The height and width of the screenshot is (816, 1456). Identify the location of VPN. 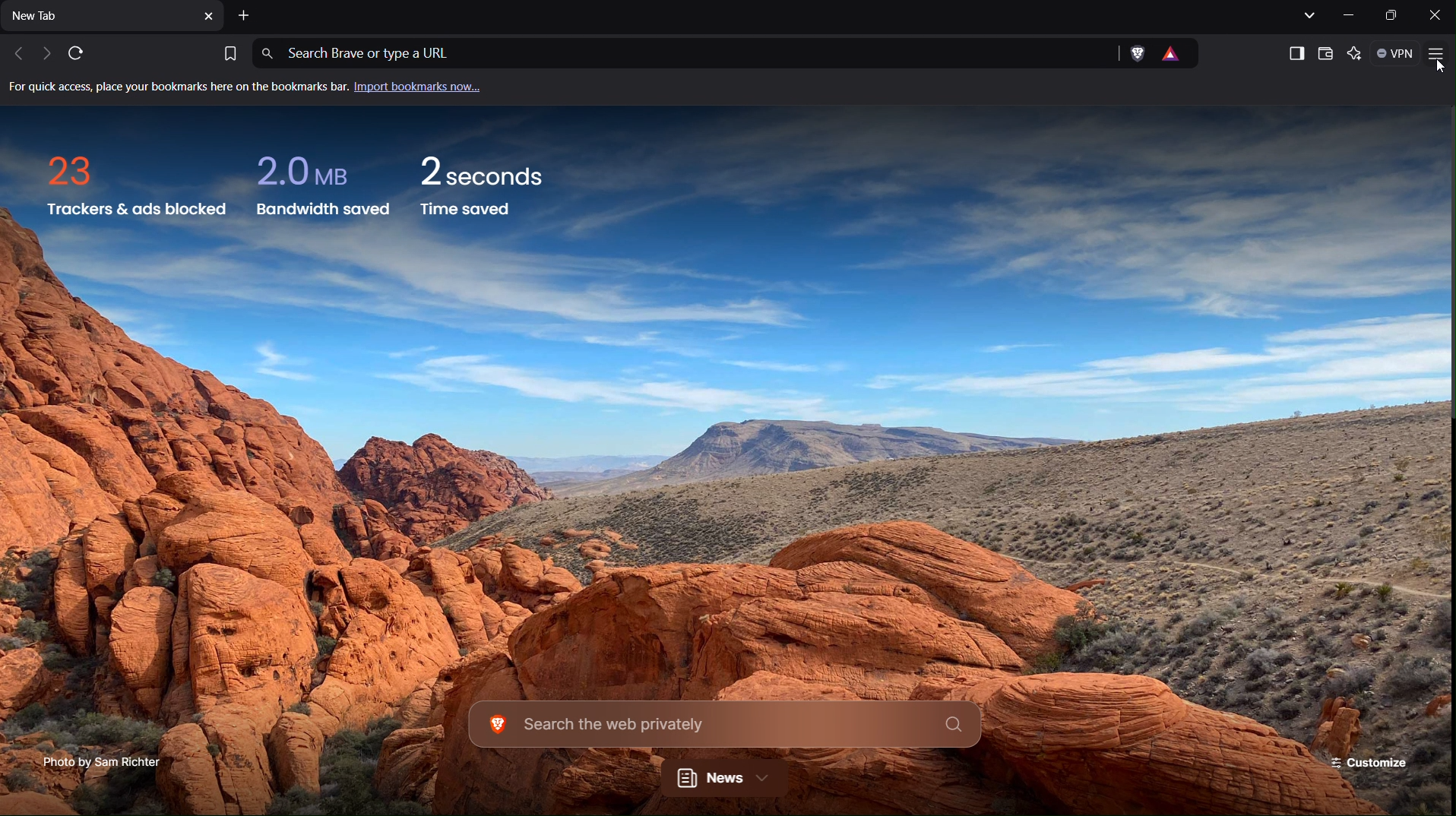
(1395, 53).